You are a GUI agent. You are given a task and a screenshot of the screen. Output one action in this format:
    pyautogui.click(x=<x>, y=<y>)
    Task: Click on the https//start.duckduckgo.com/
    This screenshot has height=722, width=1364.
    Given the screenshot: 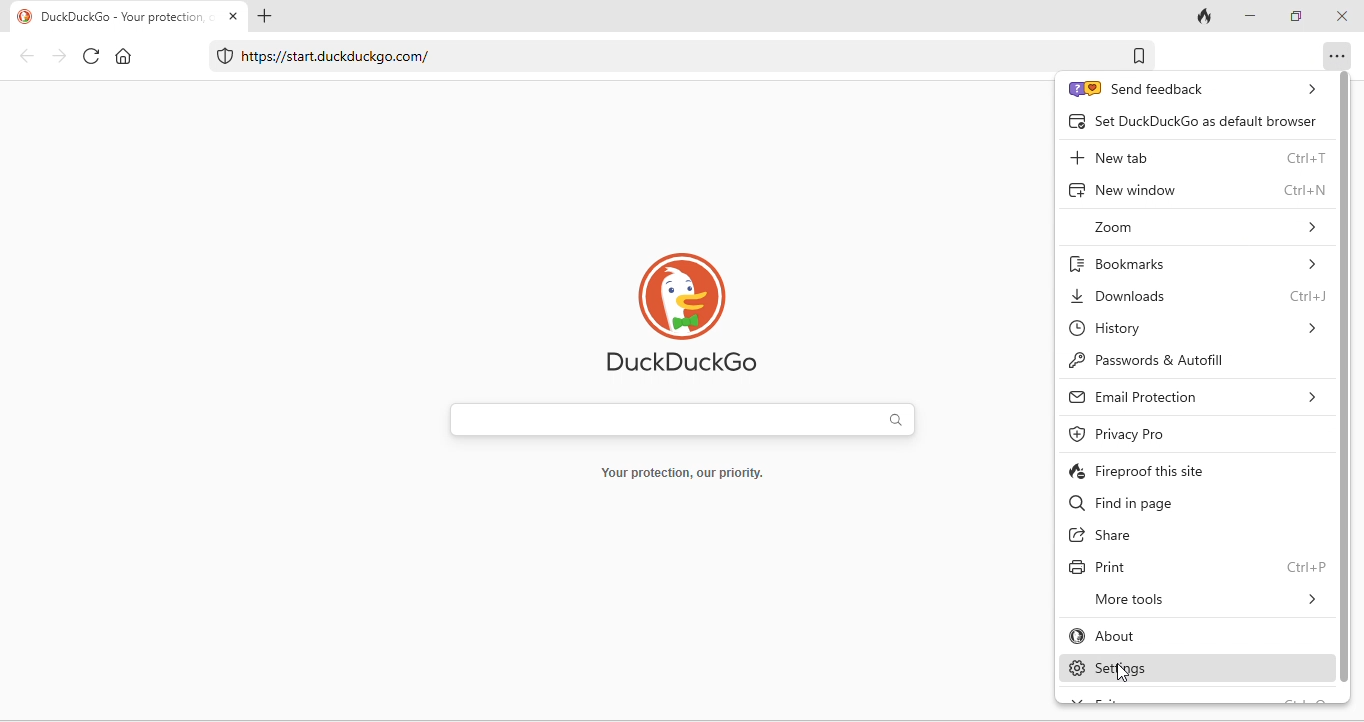 What is the action you would take?
    pyautogui.click(x=318, y=56)
    